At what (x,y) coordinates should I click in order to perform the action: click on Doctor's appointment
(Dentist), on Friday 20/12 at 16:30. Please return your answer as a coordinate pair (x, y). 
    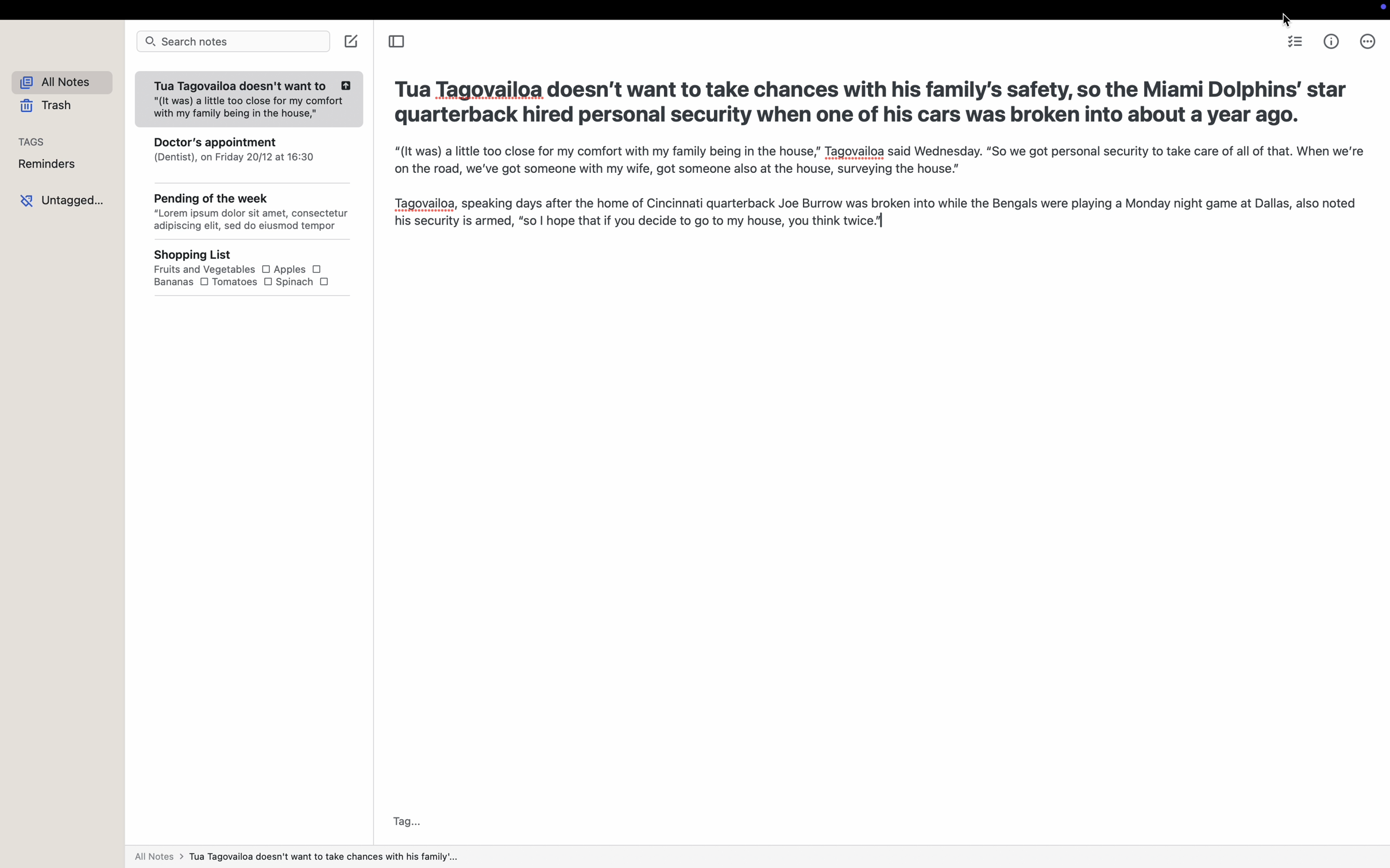
    Looking at the image, I should click on (251, 156).